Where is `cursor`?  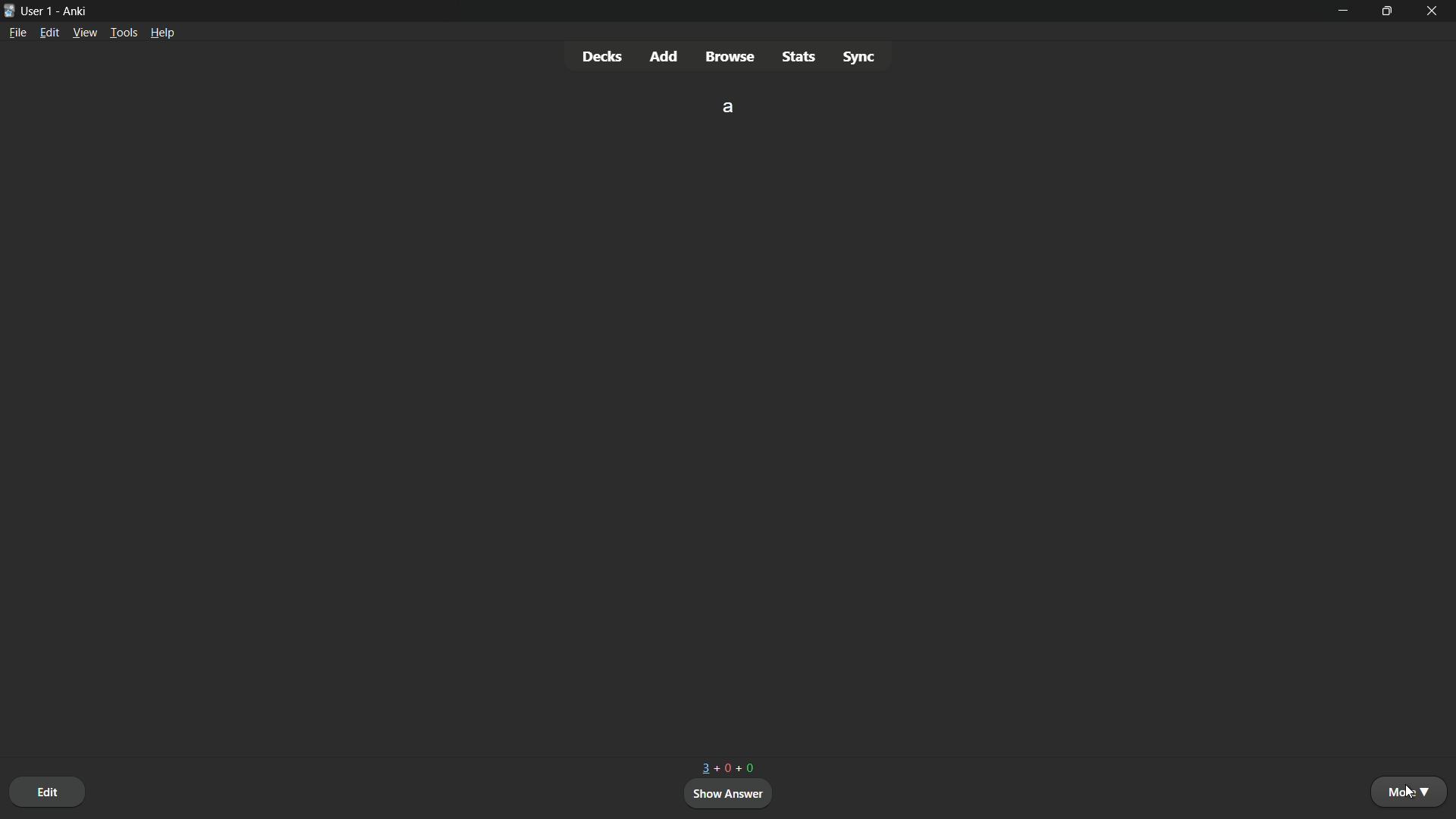 cursor is located at coordinates (1409, 795).